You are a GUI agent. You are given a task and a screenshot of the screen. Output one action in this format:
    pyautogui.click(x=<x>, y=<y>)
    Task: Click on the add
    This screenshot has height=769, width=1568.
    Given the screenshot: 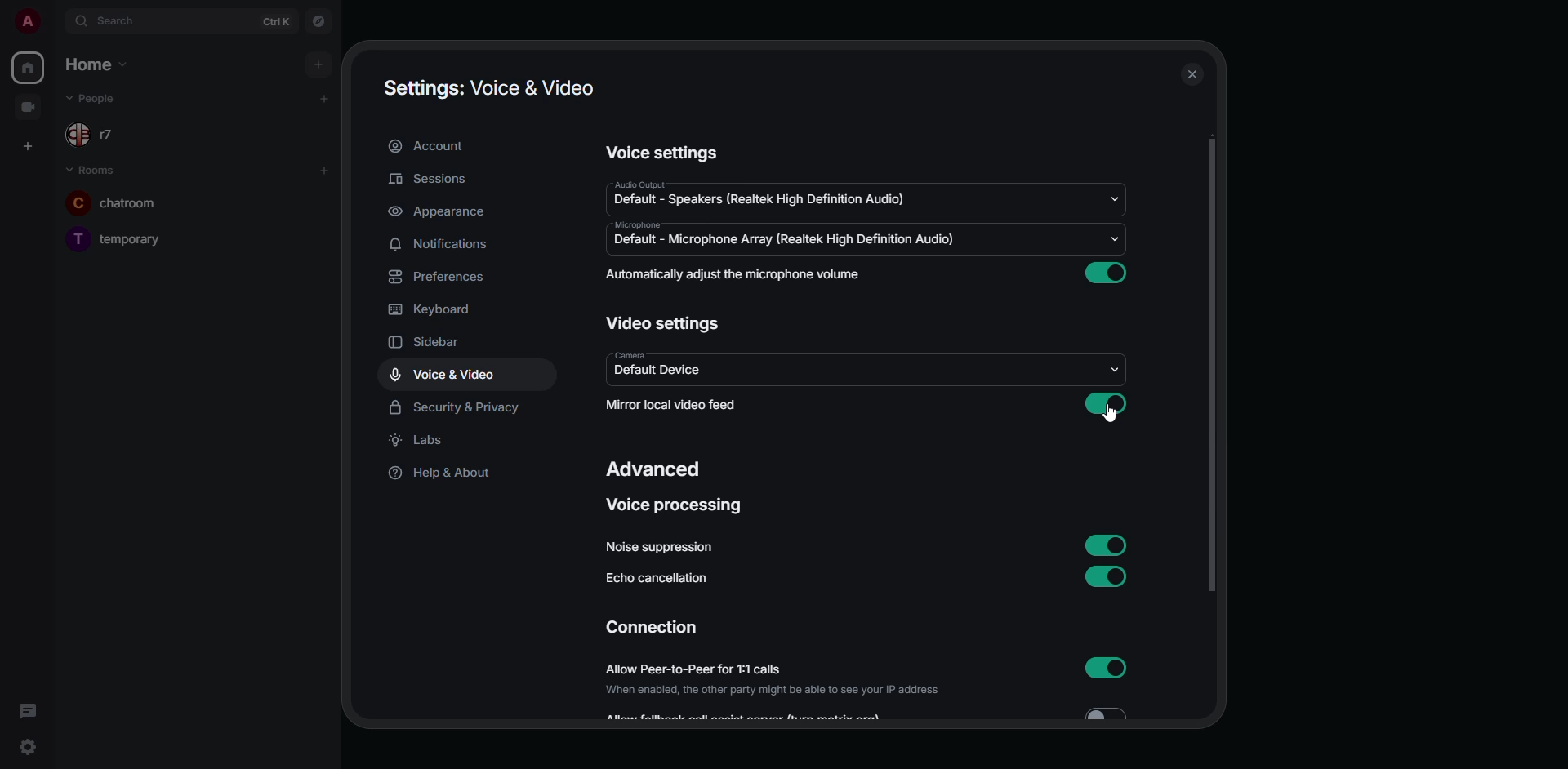 What is the action you would take?
    pyautogui.click(x=314, y=63)
    